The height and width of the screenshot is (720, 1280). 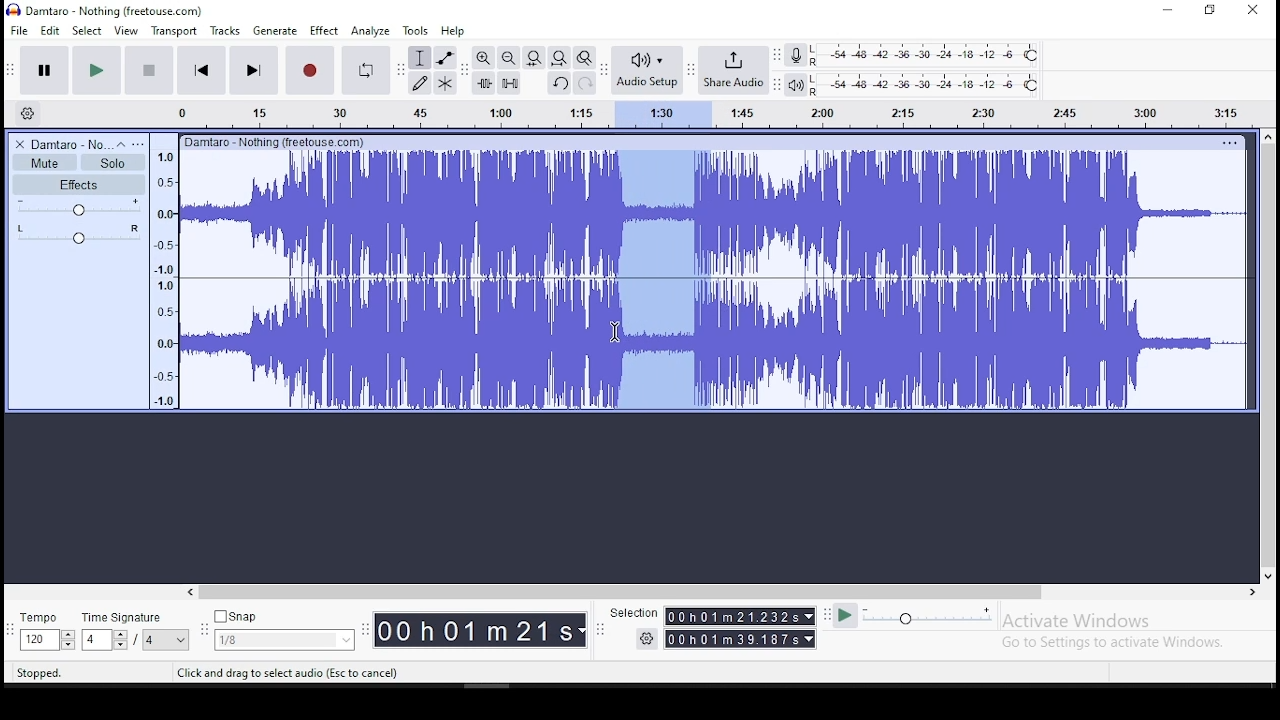 I want to click on 0O0hO01m21s, so click(x=475, y=630).